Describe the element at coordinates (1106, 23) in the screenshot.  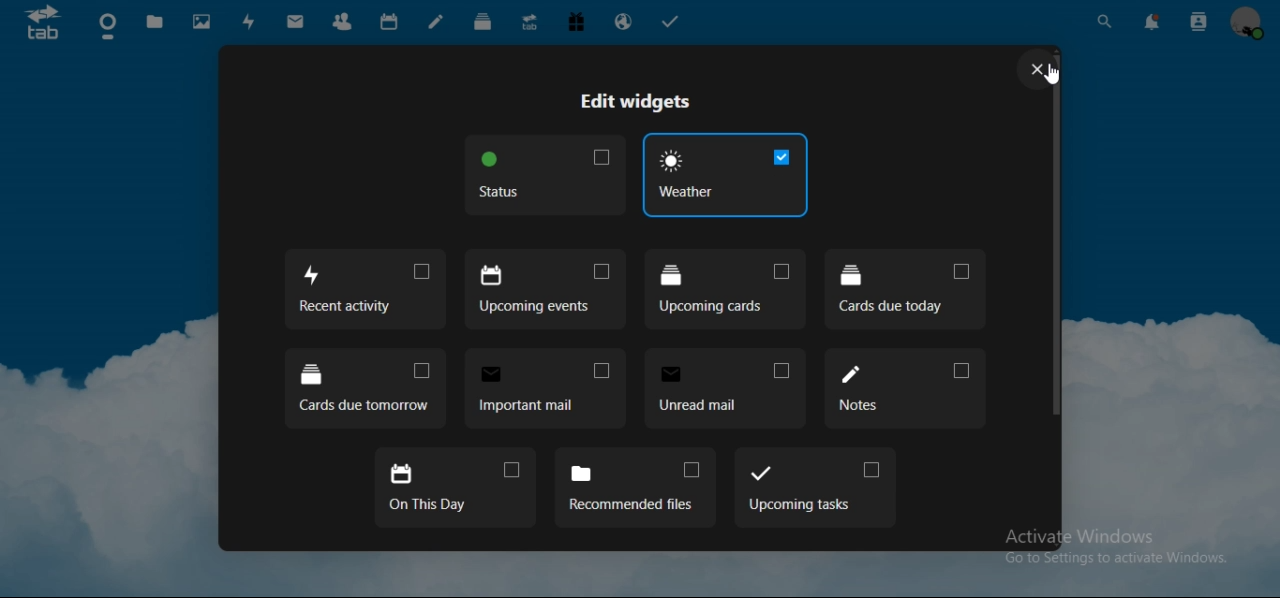
I see `search` at that location.